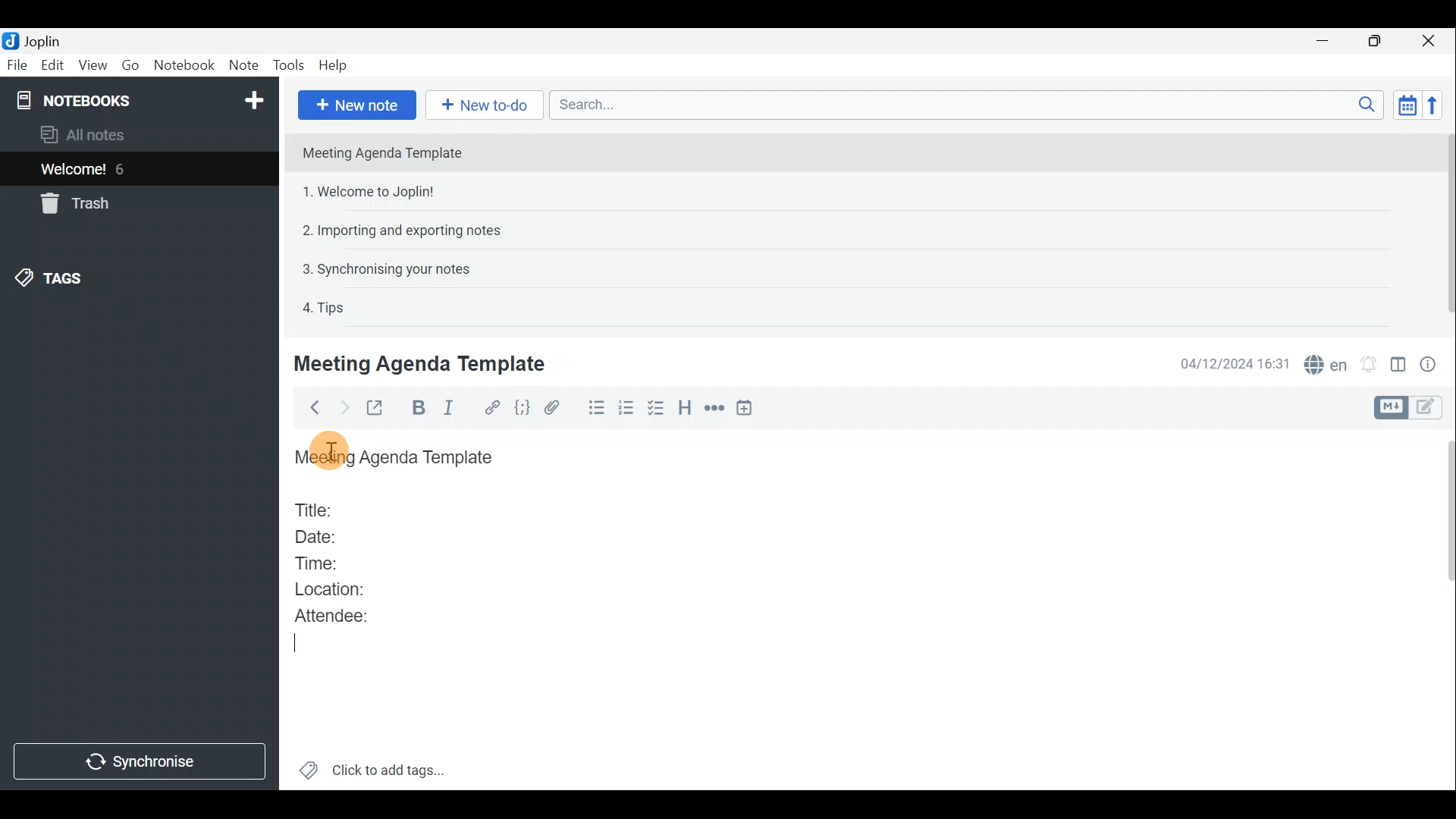  What do you see at coordinates (242, 62) in the screenshot?
I see `Note` at bounding box center [242, 62].